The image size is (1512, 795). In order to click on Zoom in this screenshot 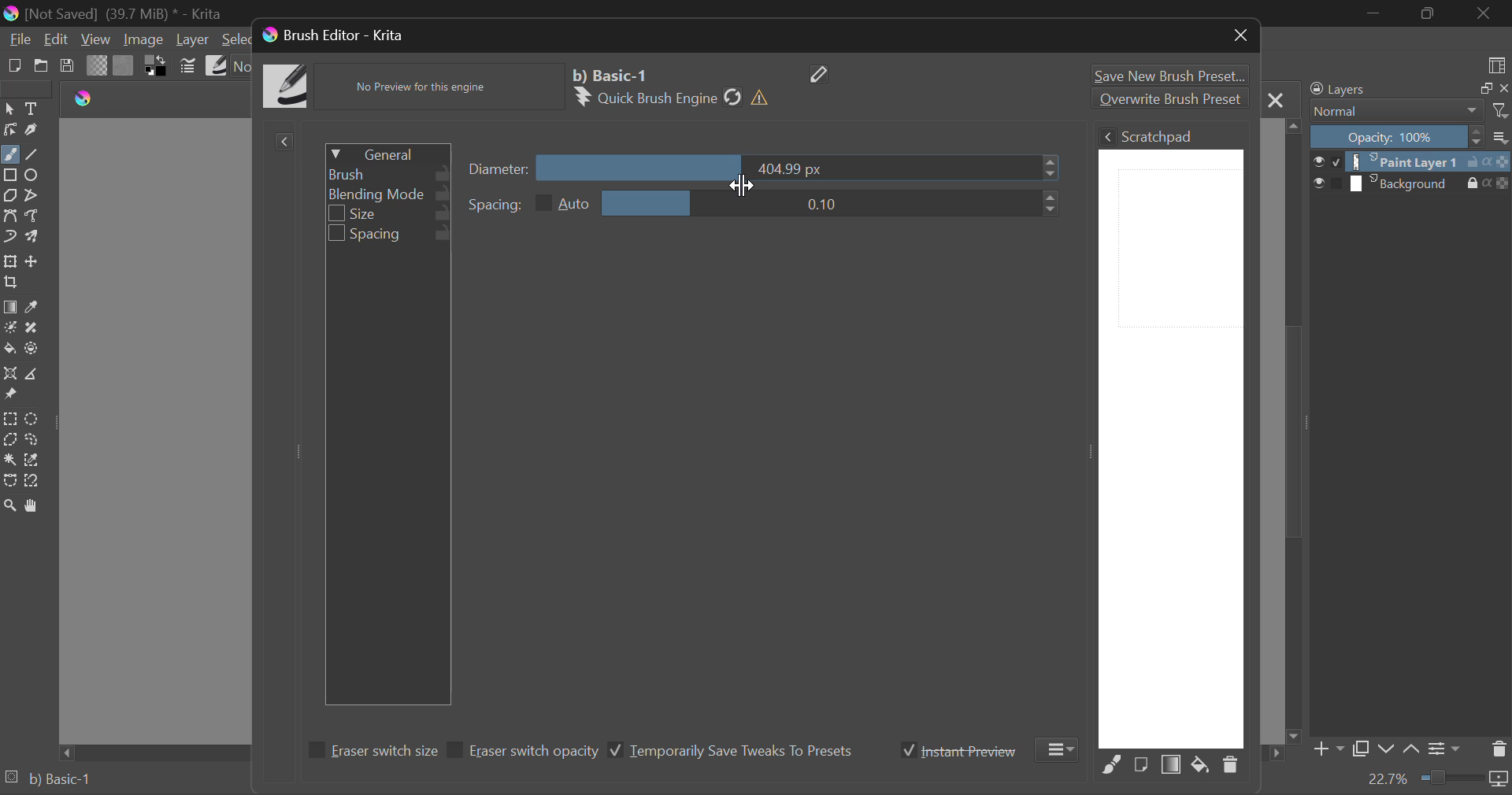, I will do `click(9, 505)`.